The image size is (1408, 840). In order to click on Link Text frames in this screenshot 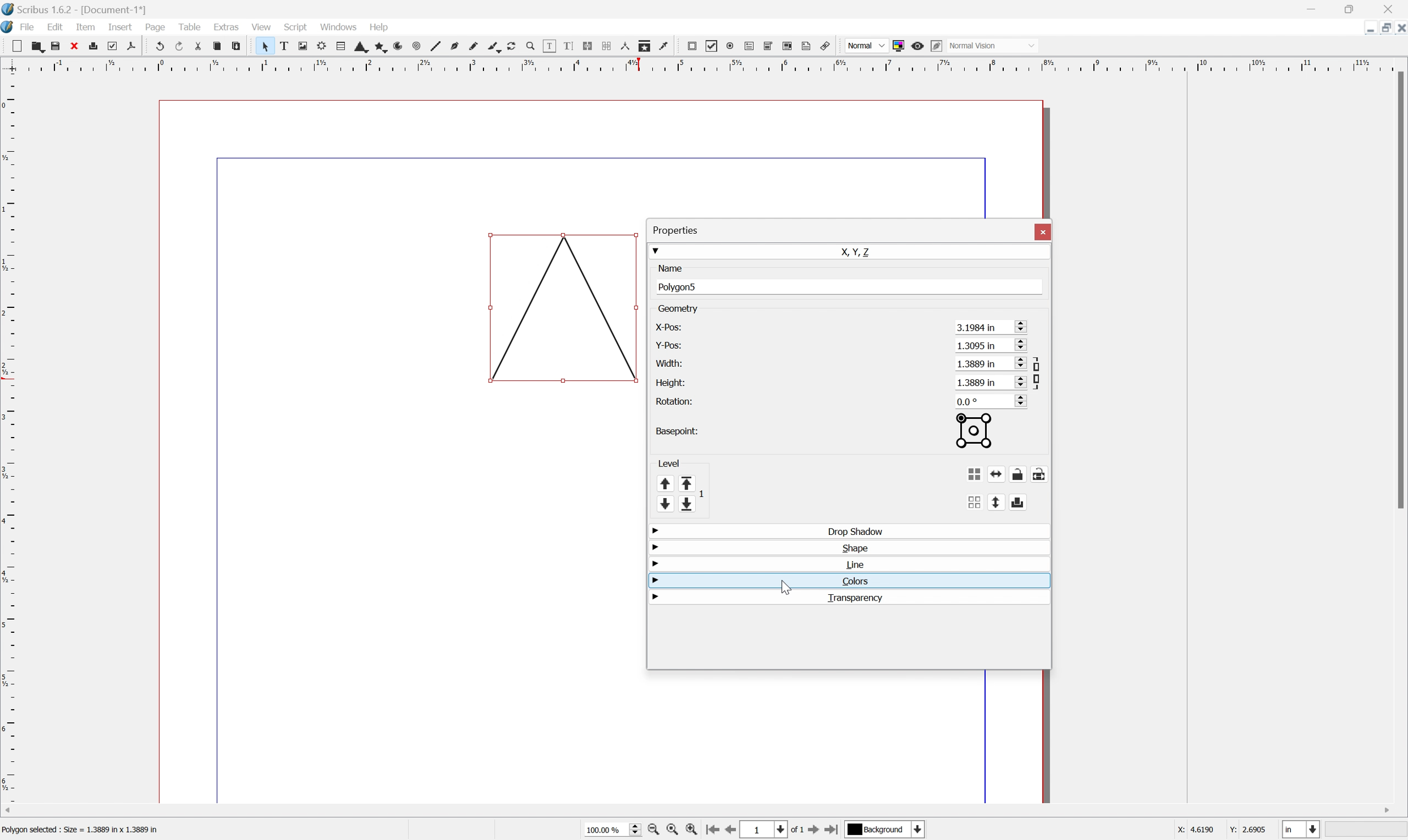, I will do `click(585, 46)`.